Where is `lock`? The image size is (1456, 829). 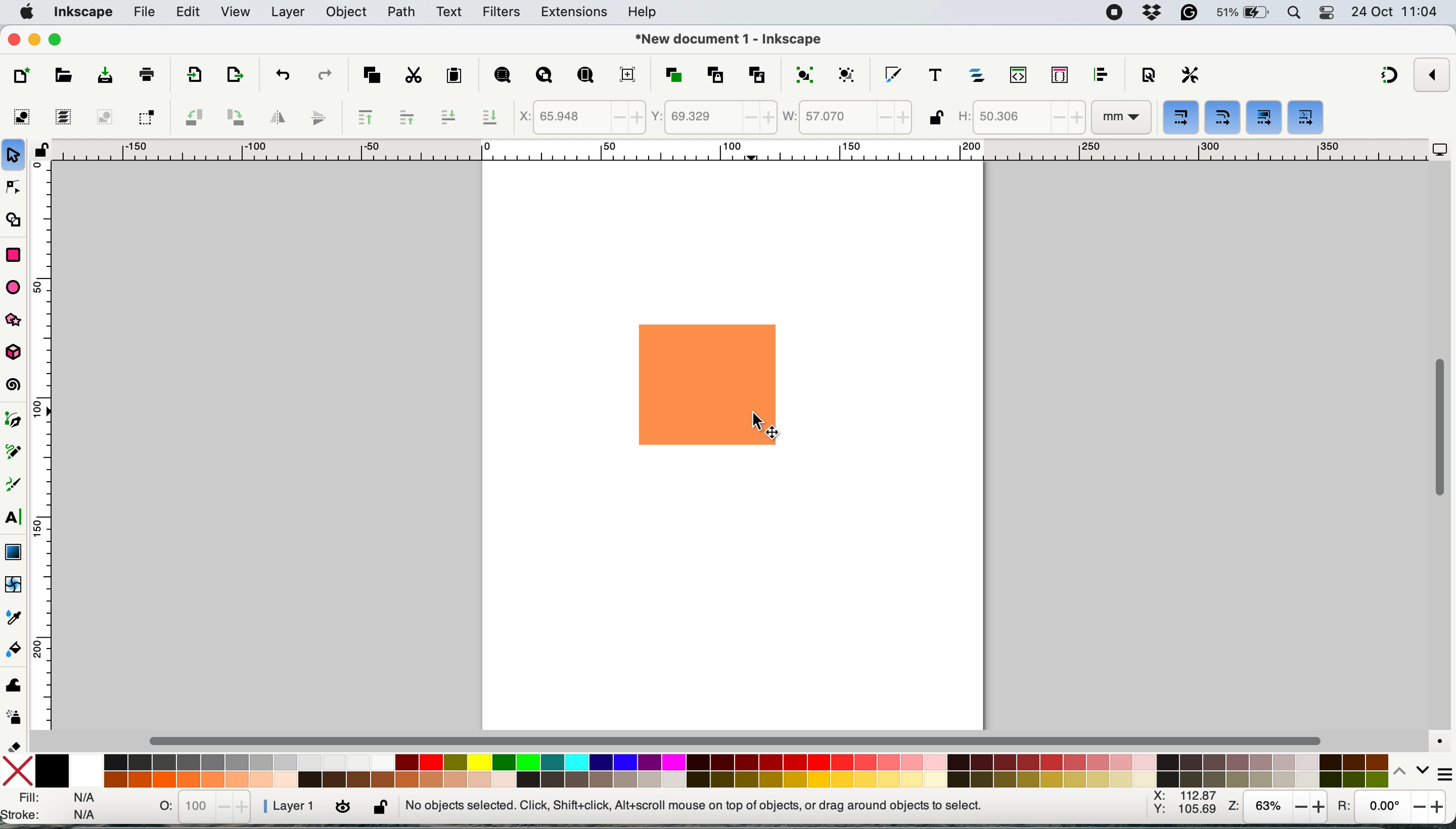 lock is located at coordinates (41, 154).